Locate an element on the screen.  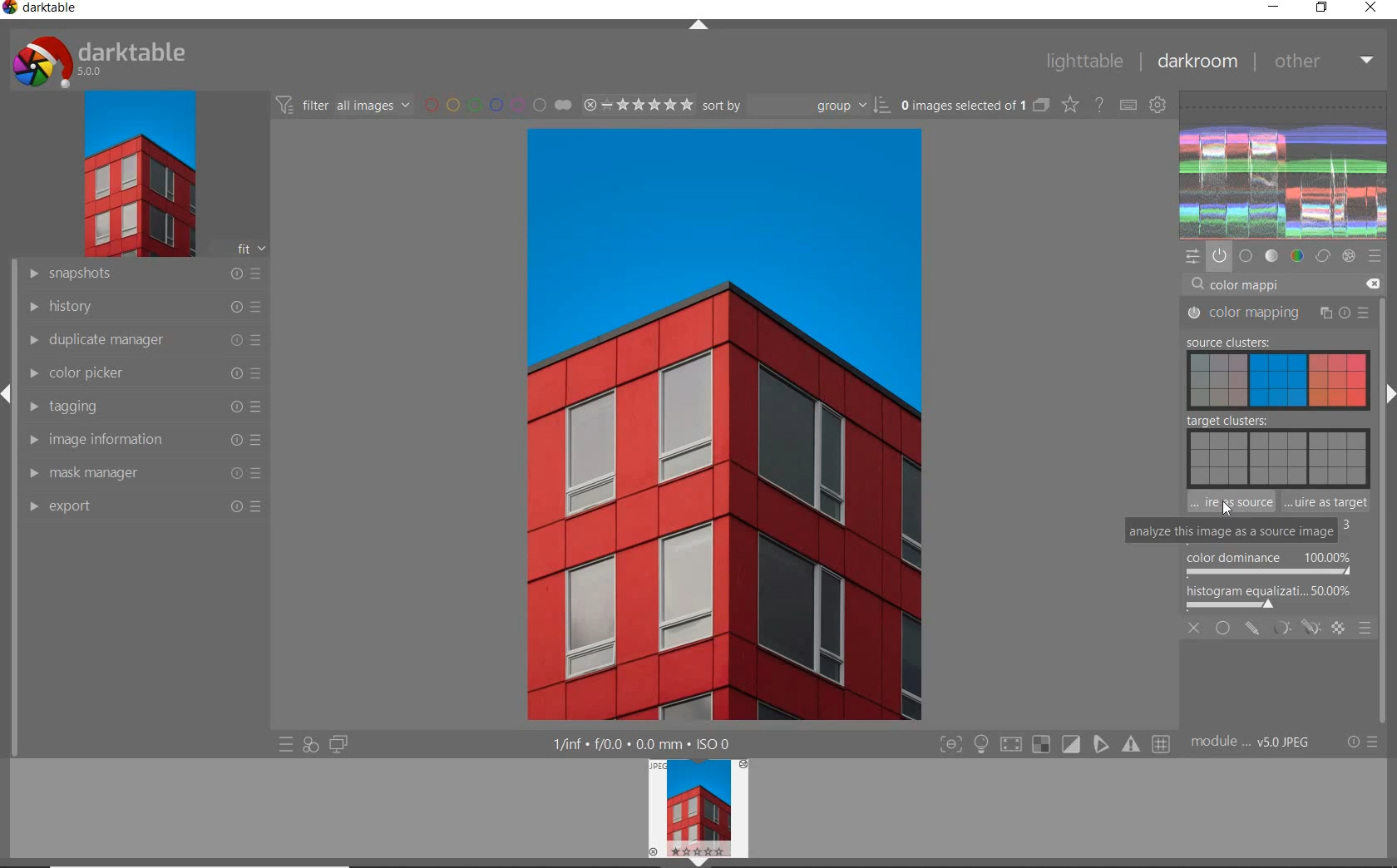
change type of overlay is located at coordinates (1069, 105).